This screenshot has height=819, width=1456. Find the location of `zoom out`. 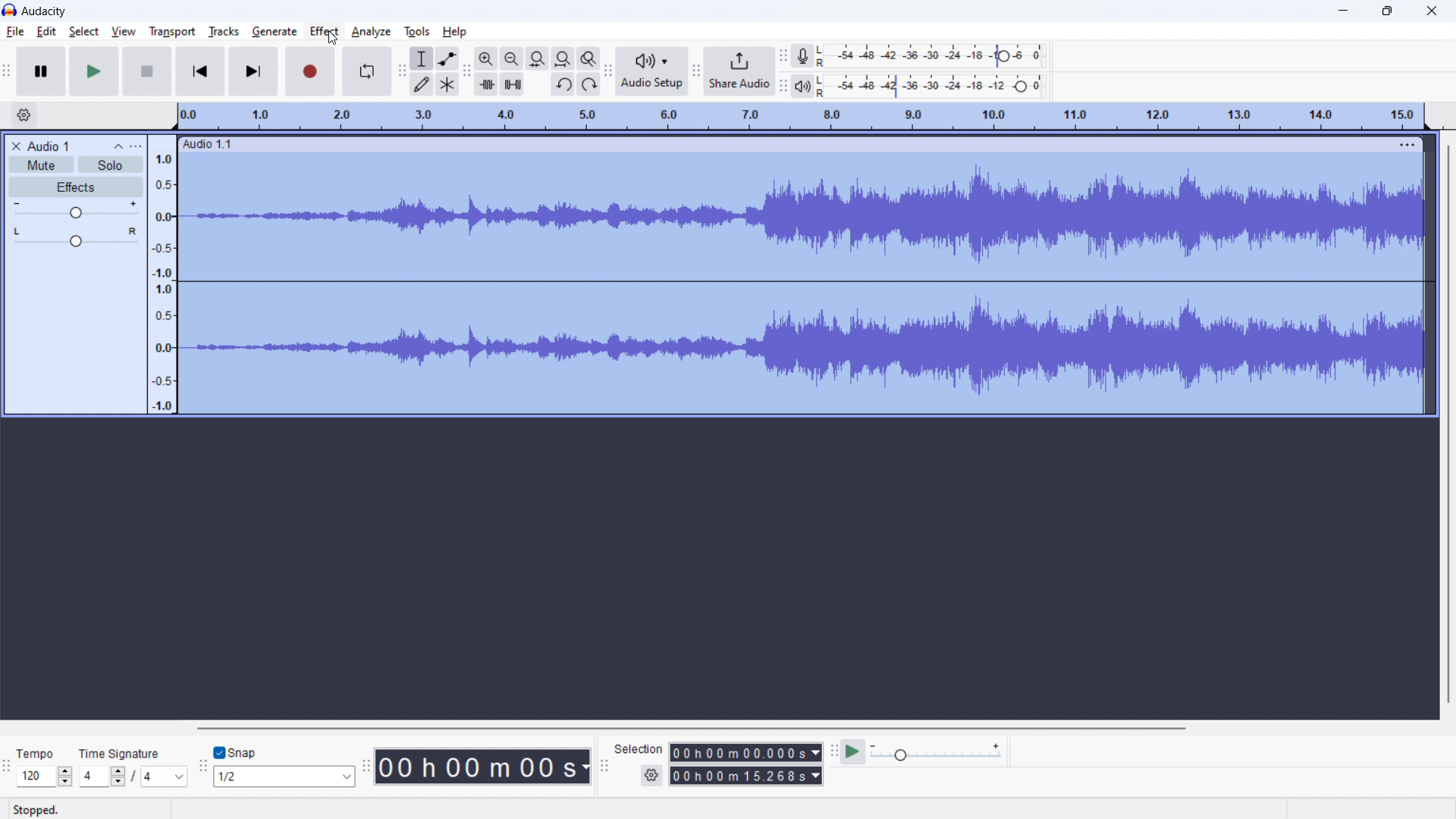

zoom out is located at coordinates (512, 58).